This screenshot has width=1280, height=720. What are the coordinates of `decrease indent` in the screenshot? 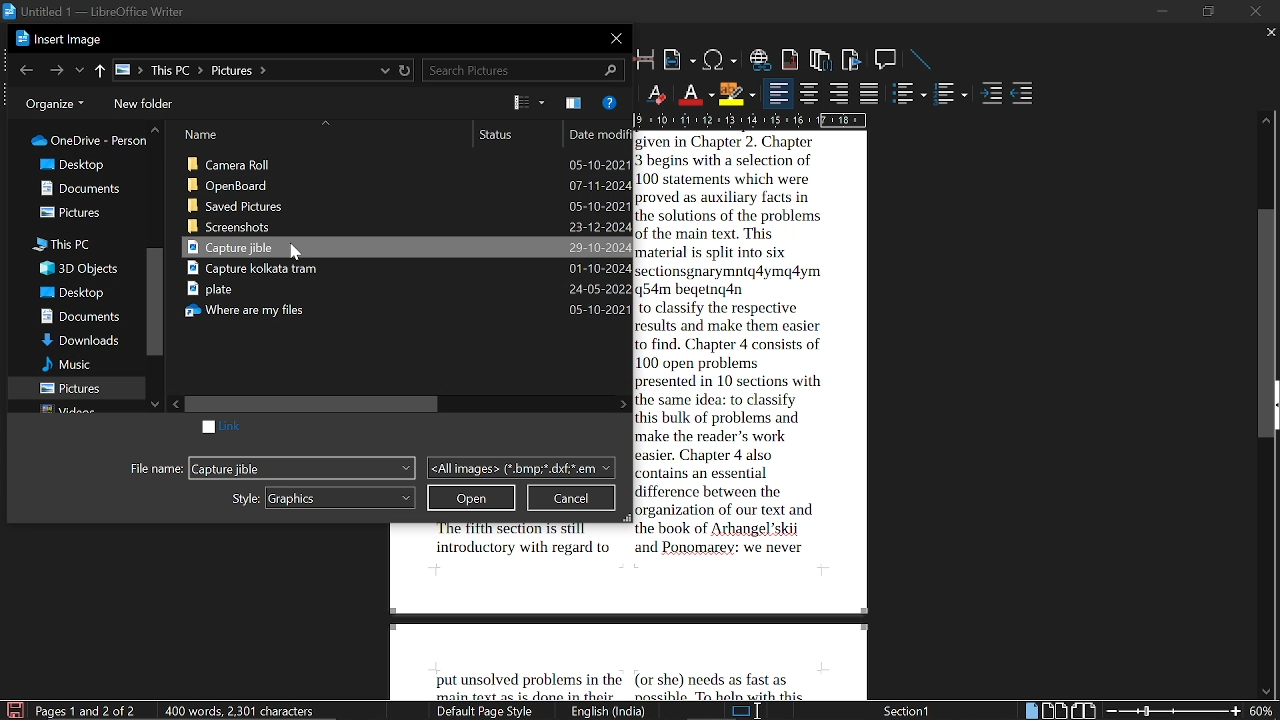 It's located at (1024, 93).